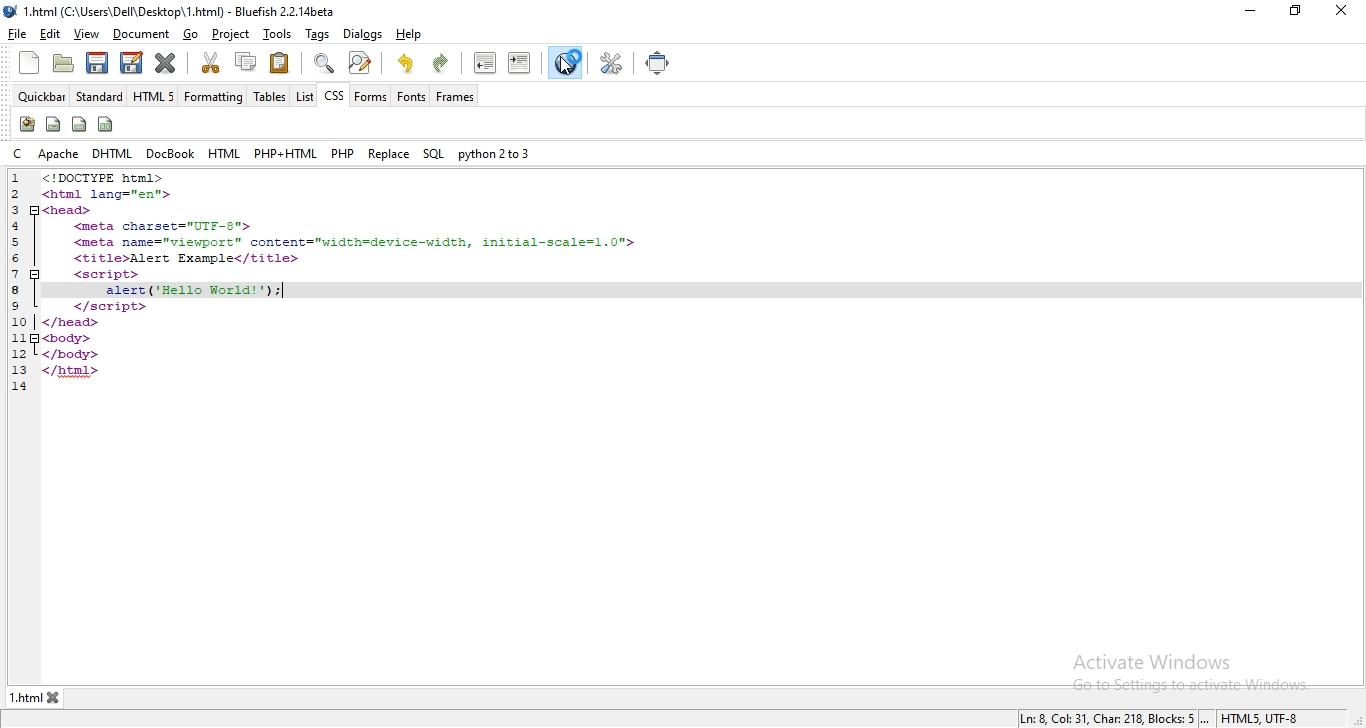 The height and width of the screenshot is (728, 1366). Describe the element at coordinates (361, 62) in the screenshot. I see `search` at that location.